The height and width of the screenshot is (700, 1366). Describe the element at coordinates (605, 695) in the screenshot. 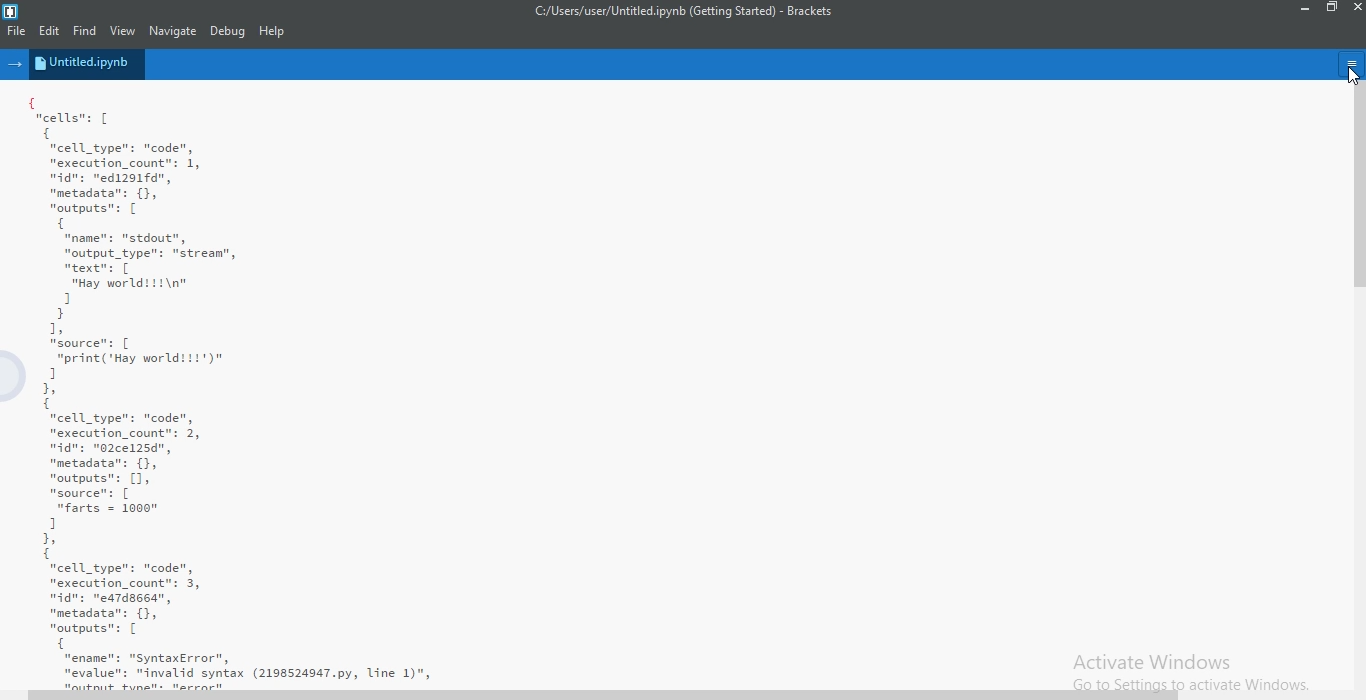

I see `scroll bar` at that location.